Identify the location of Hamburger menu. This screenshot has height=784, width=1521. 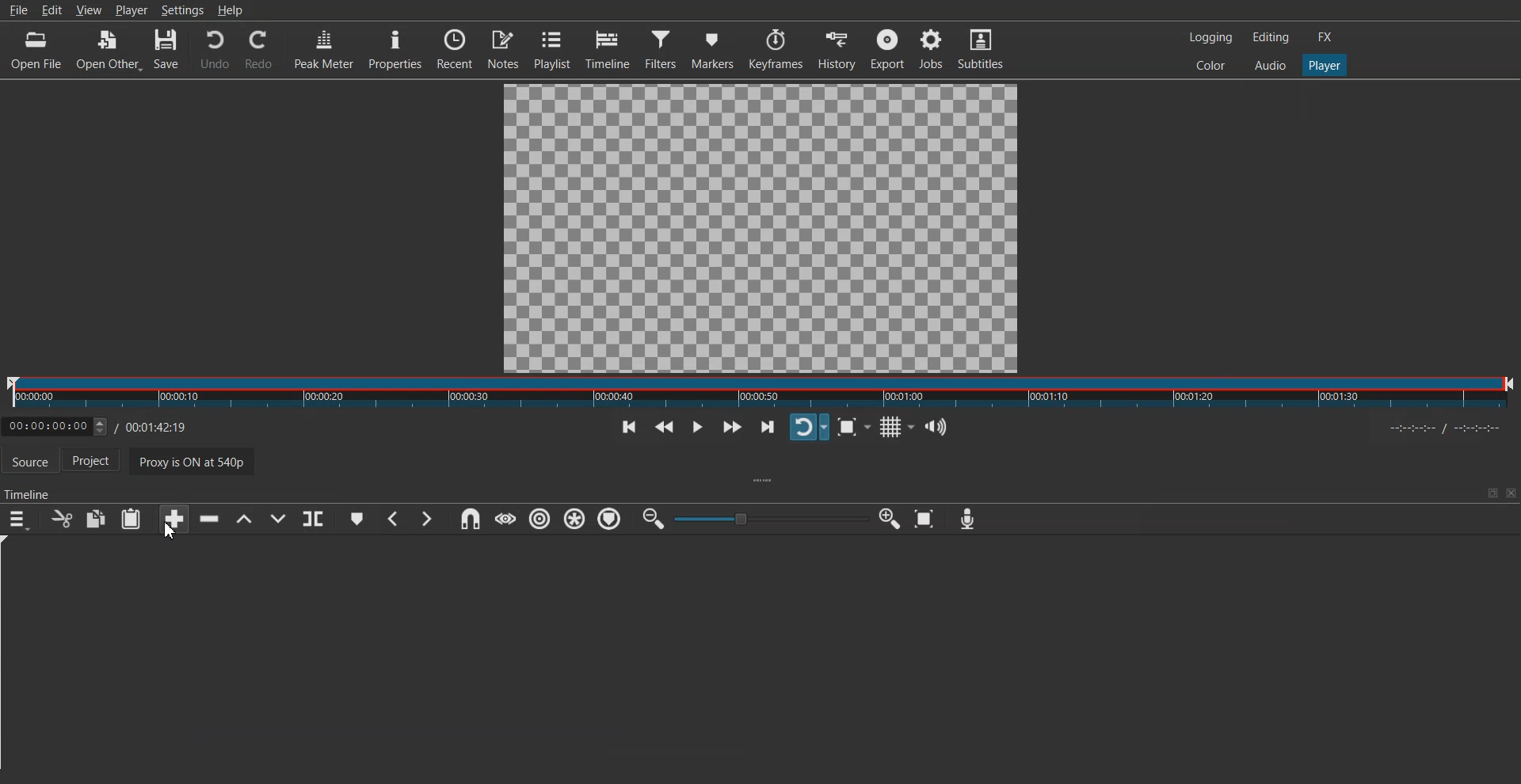
(17, 519).